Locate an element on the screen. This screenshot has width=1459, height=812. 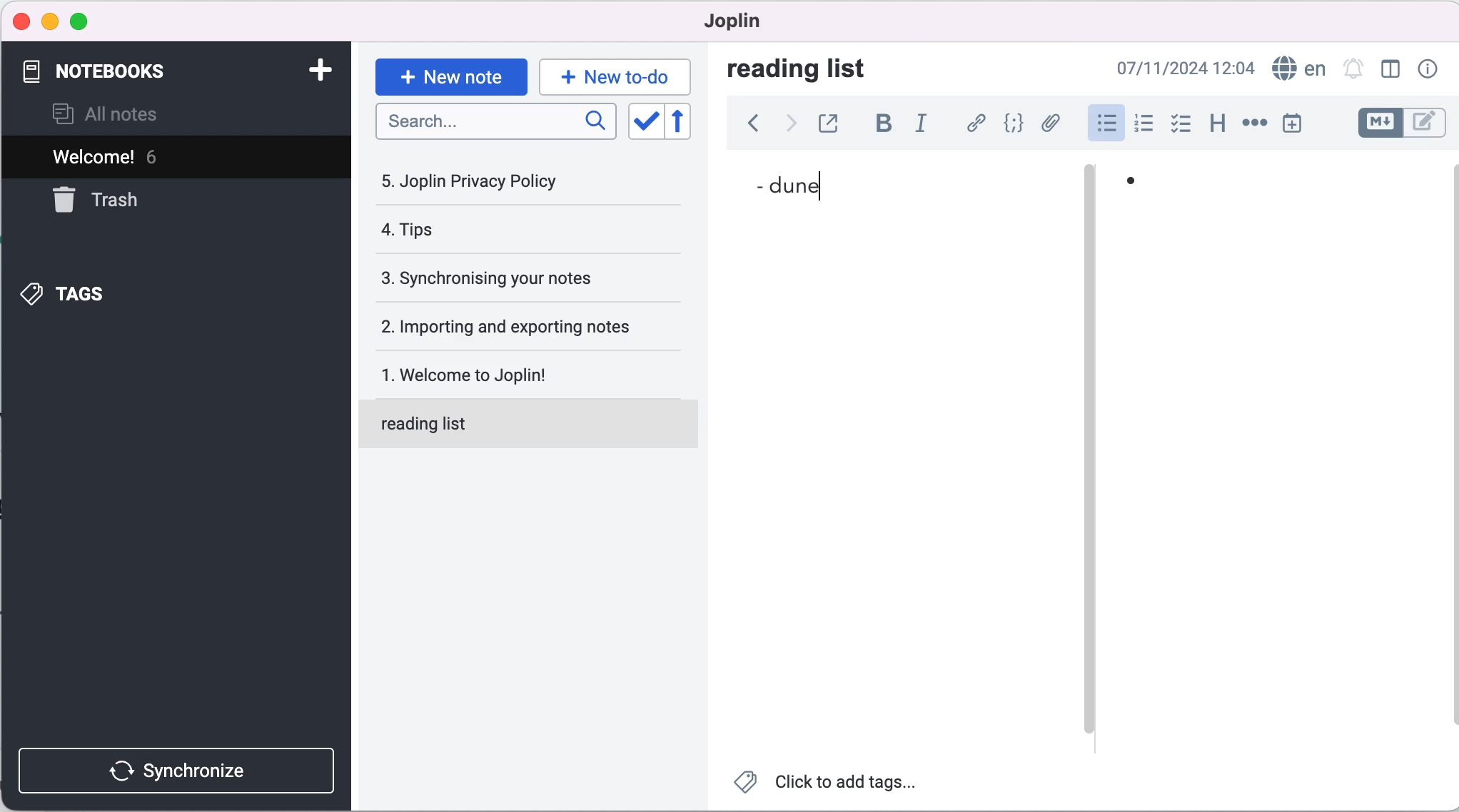
synchronize is located at coordinates (175, 763).